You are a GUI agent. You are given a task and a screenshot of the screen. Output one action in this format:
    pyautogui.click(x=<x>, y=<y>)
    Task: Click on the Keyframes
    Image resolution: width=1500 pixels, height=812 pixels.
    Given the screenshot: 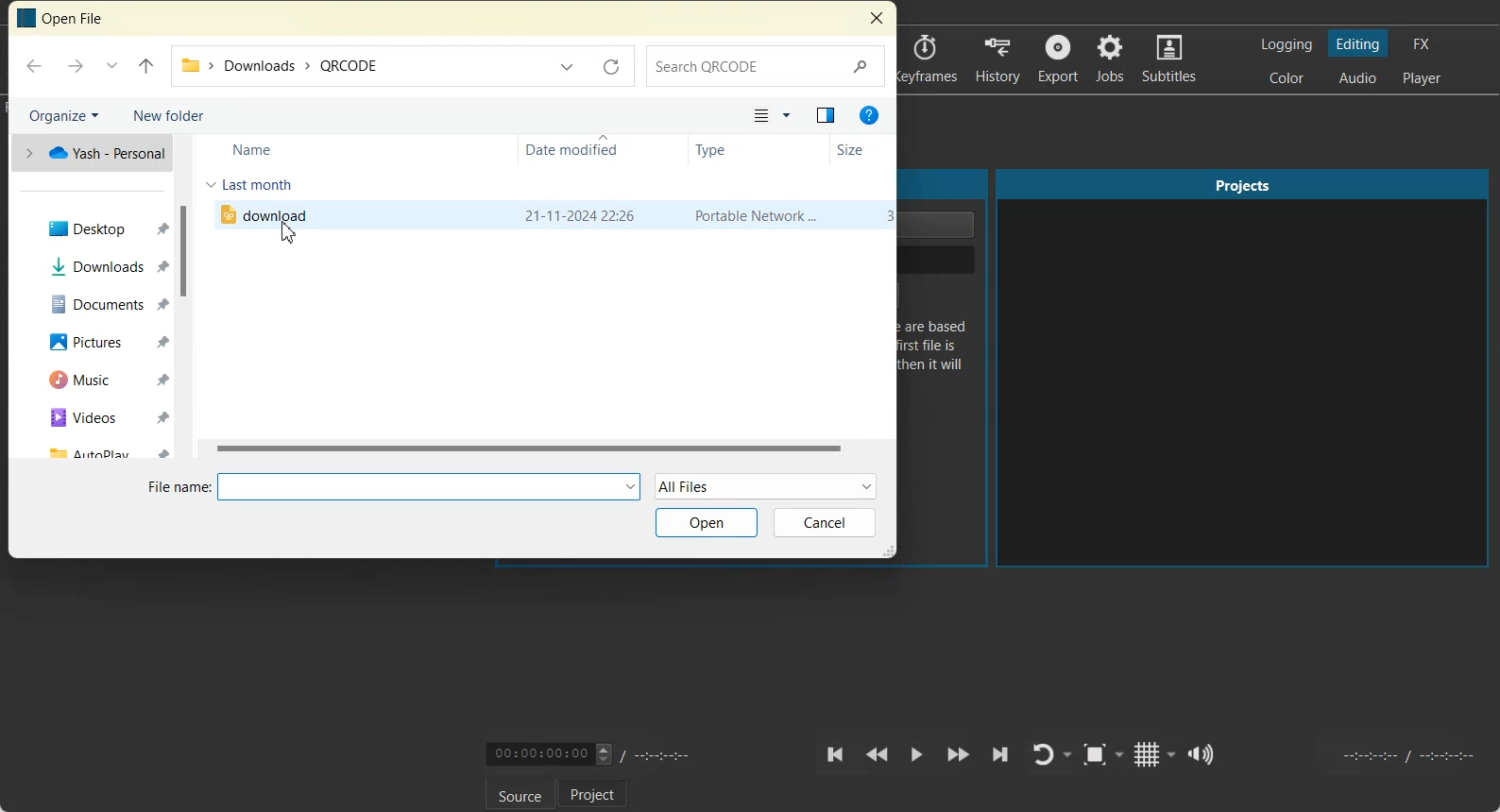 What is the action you would take?
    pyautogui.click(x=929, y=59)
    